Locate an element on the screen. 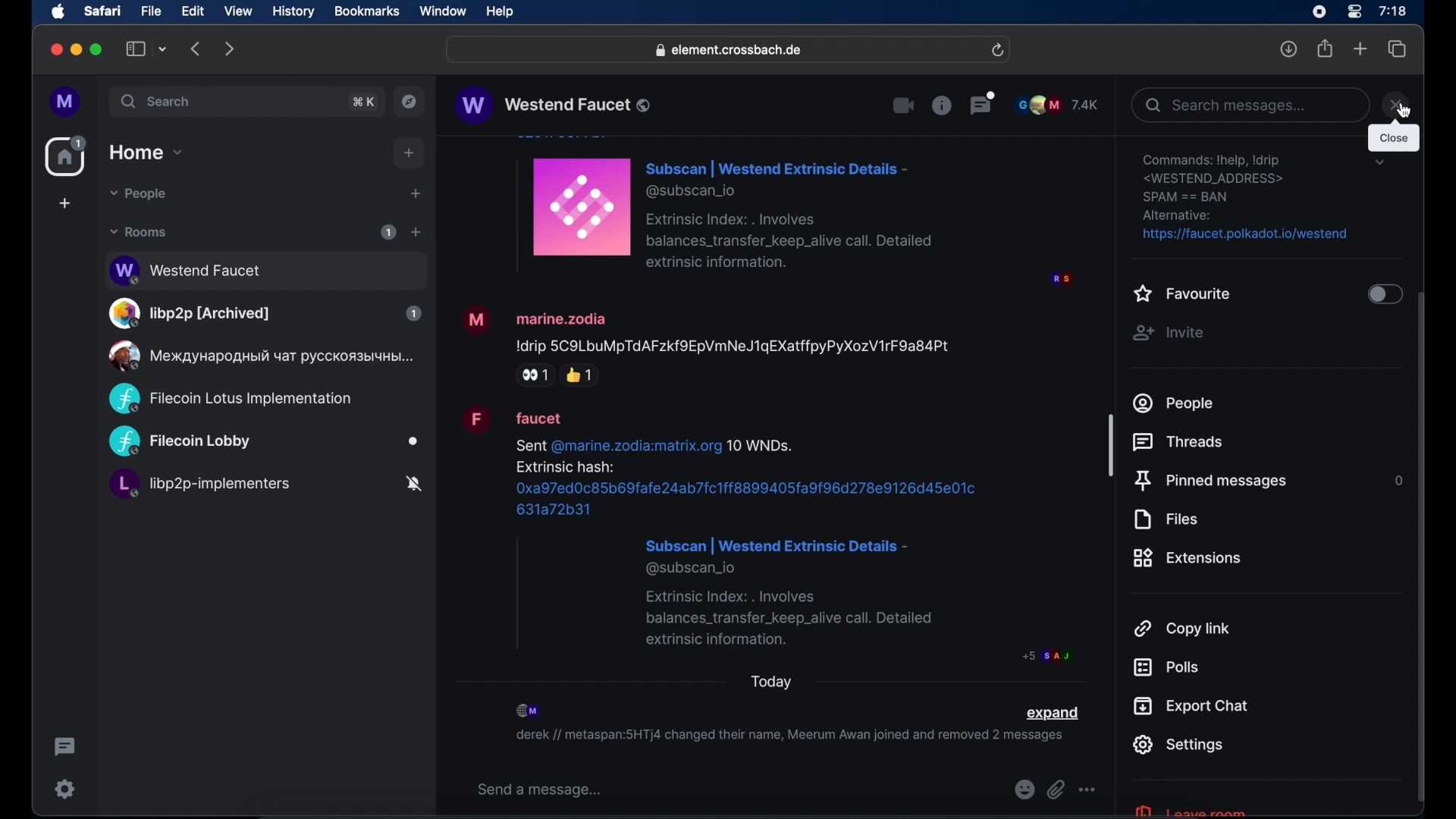  scroll box is located at coordinates (1111, 444).